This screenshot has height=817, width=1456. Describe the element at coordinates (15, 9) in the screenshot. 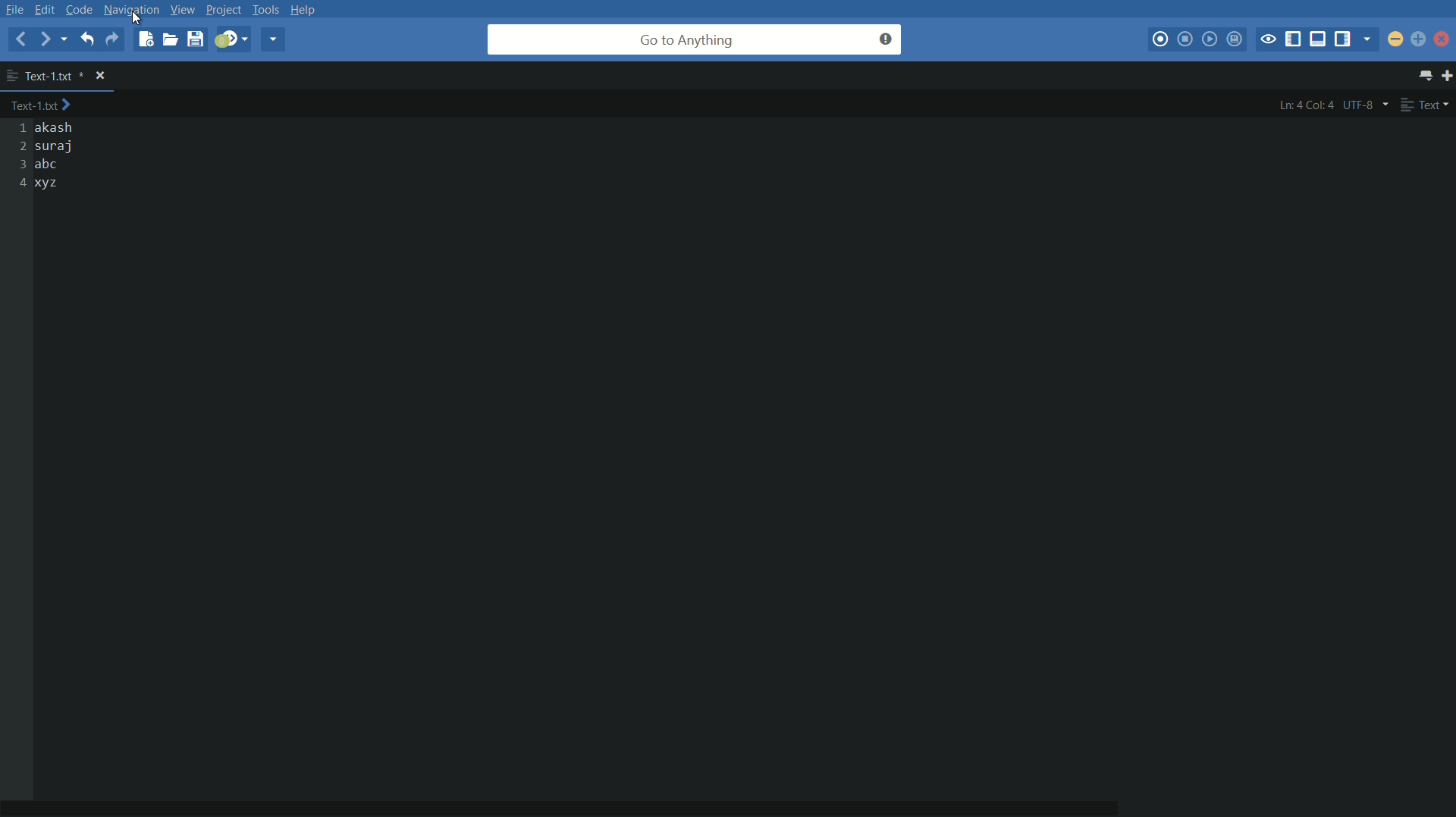

I see `file` at that location.